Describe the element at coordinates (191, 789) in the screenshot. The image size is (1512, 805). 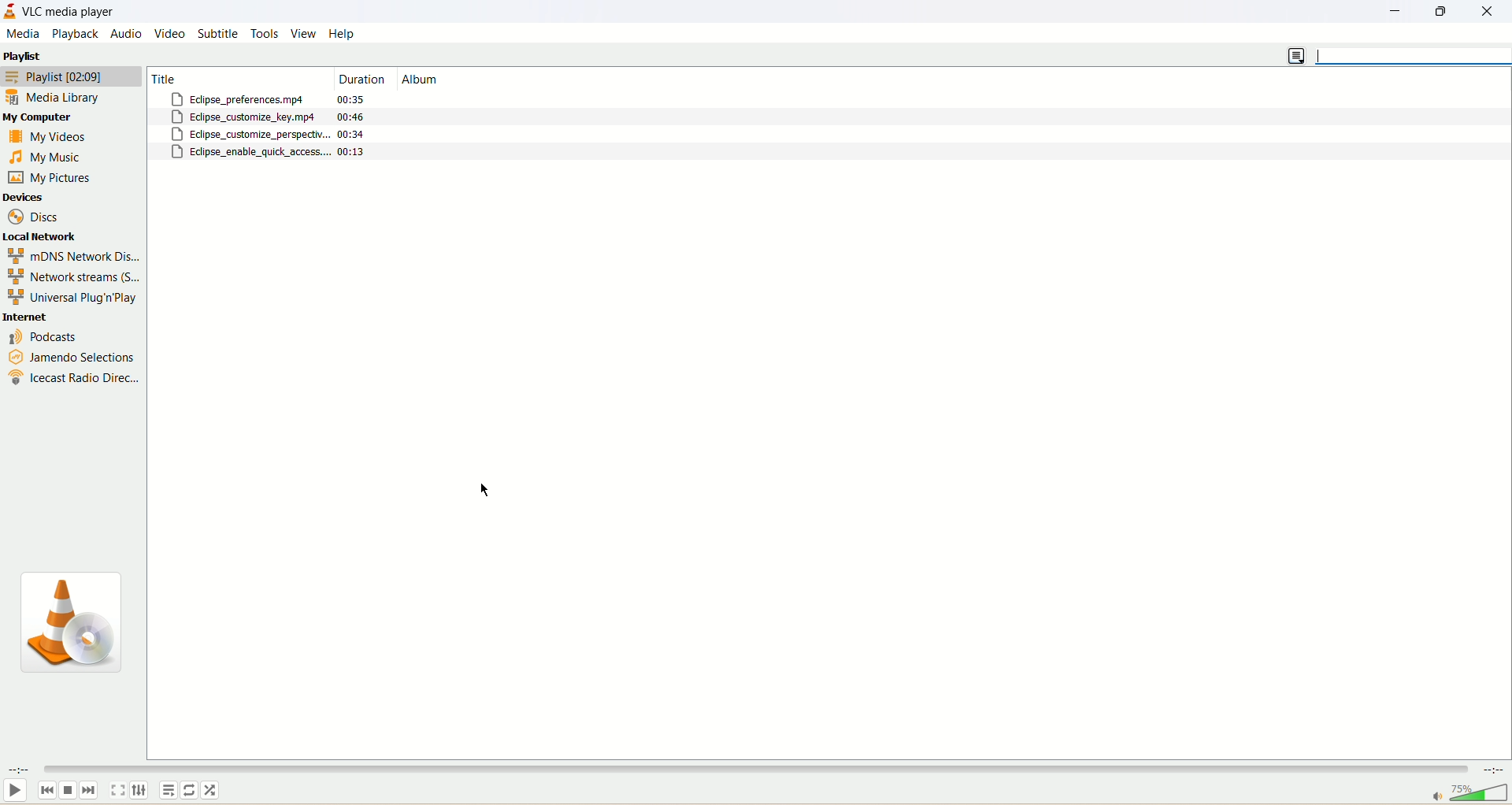
I see `toggle loop` at that location.